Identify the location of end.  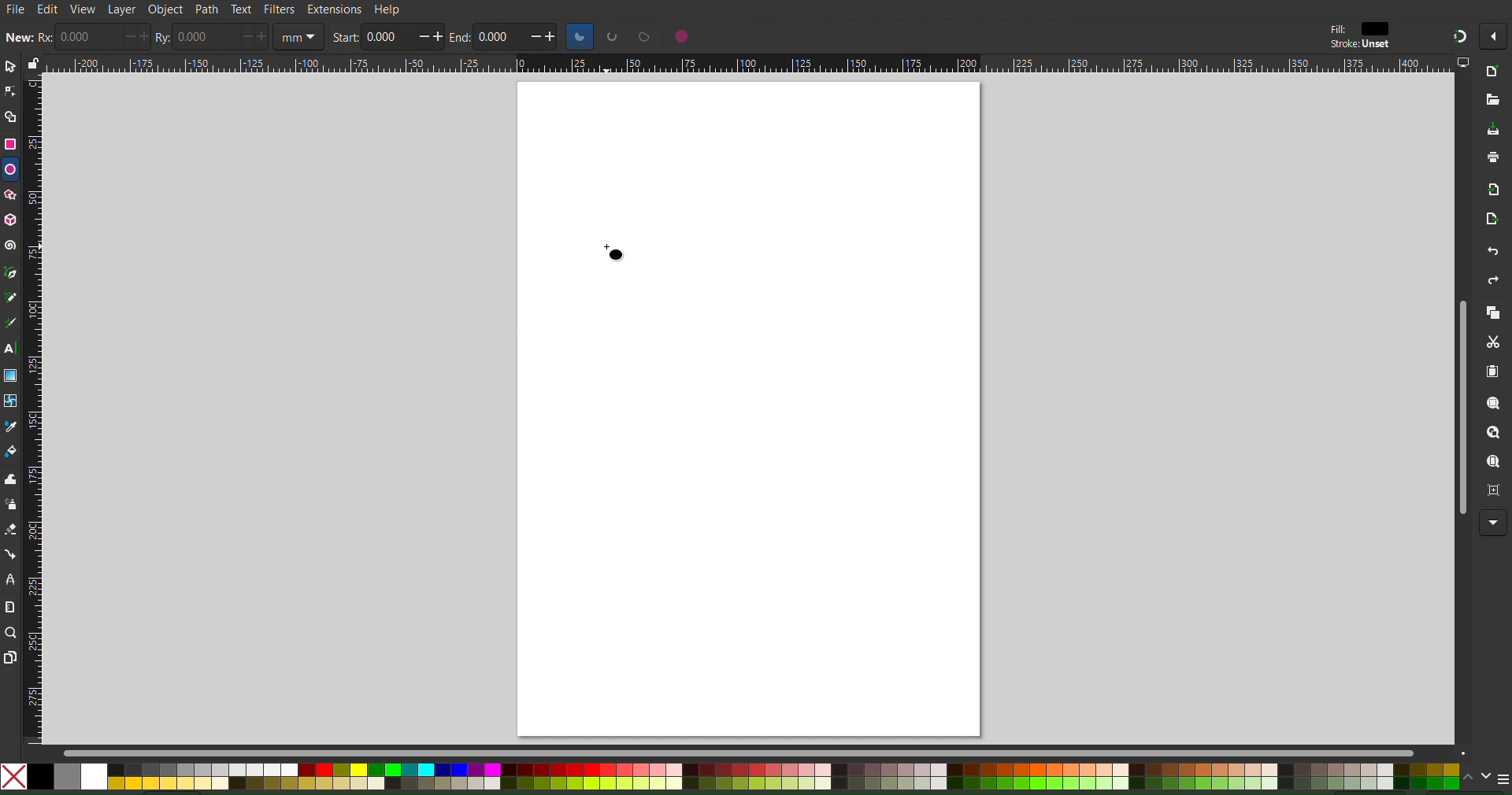
(458, 40).